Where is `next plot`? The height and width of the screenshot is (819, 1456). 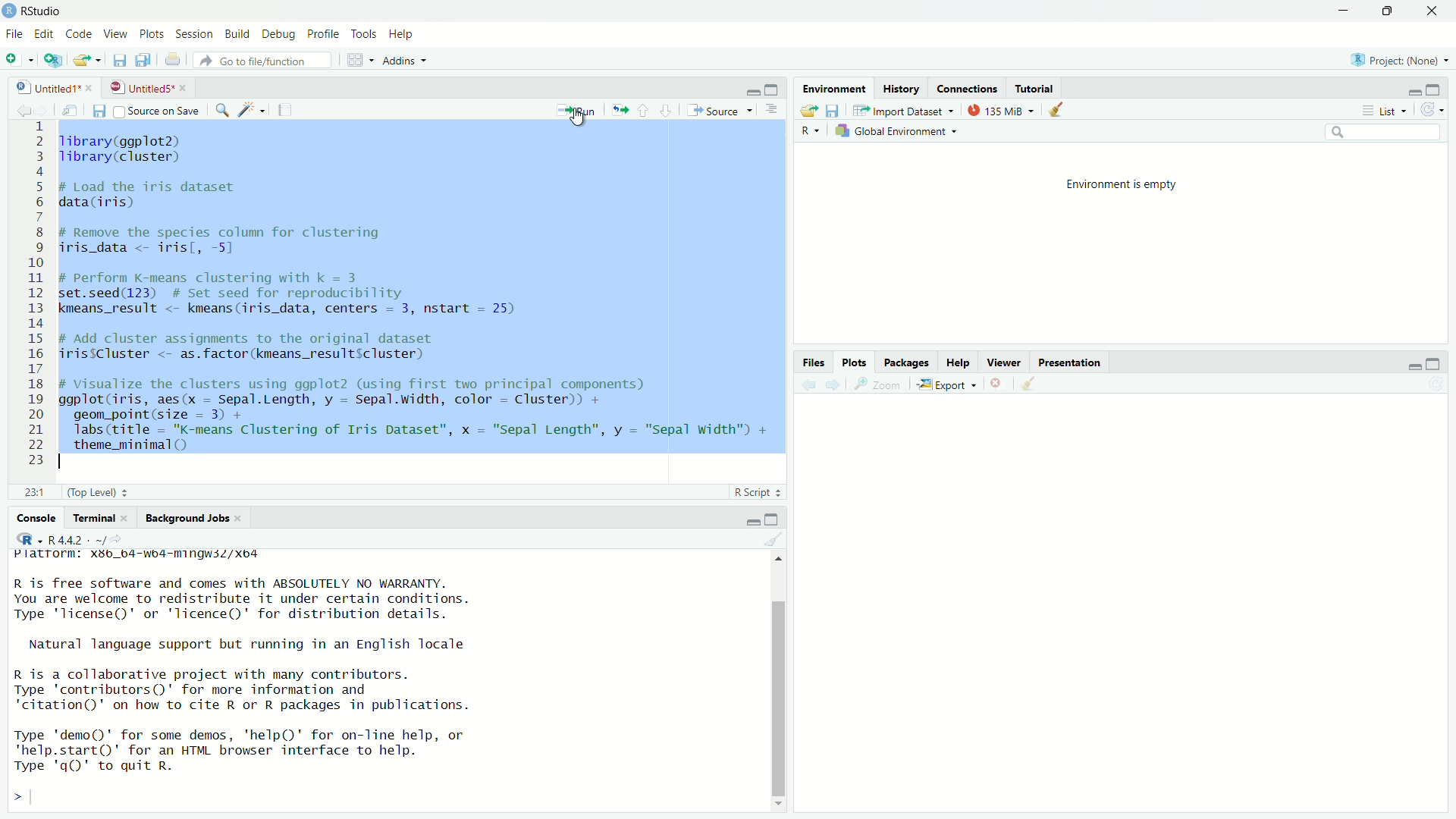
next plot is located at coordinates (830, 385).